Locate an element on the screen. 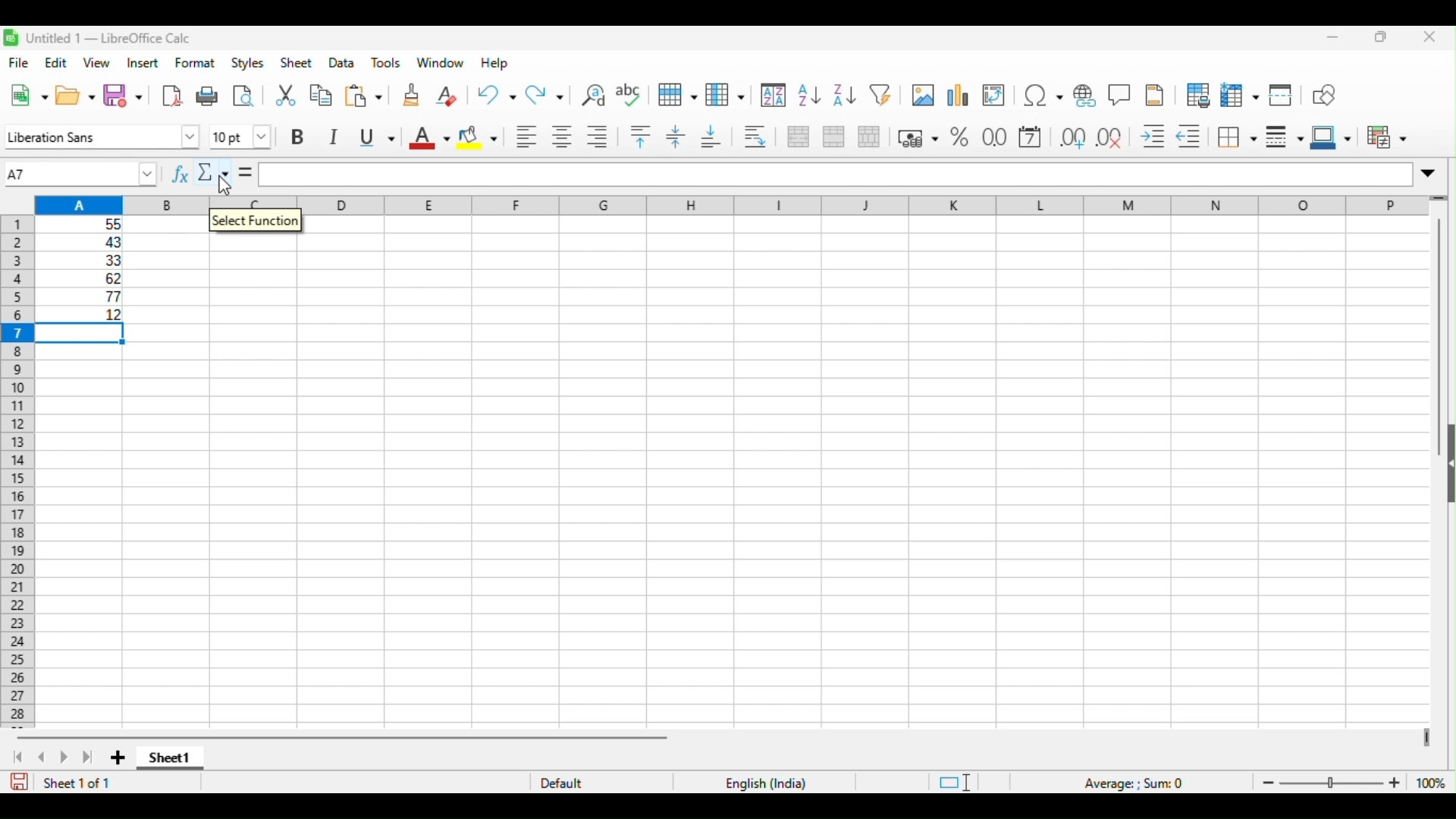 The image size is (1456, 819). print is located at coordinates (208, 96).